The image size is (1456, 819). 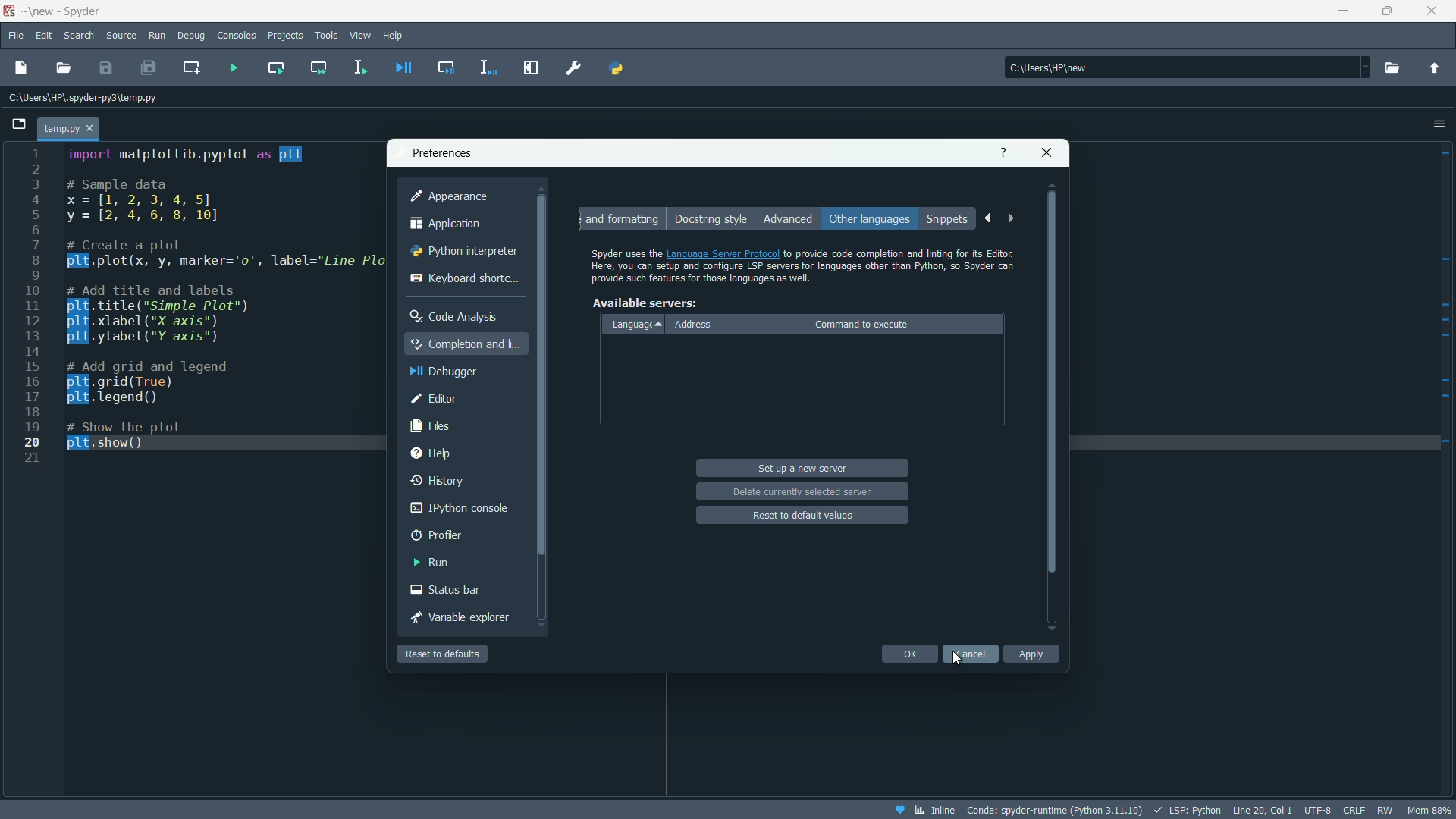 What do you see at coordinates (237, 36) in the screenshot?
I see `consoles` at bounding box center [237, 36].